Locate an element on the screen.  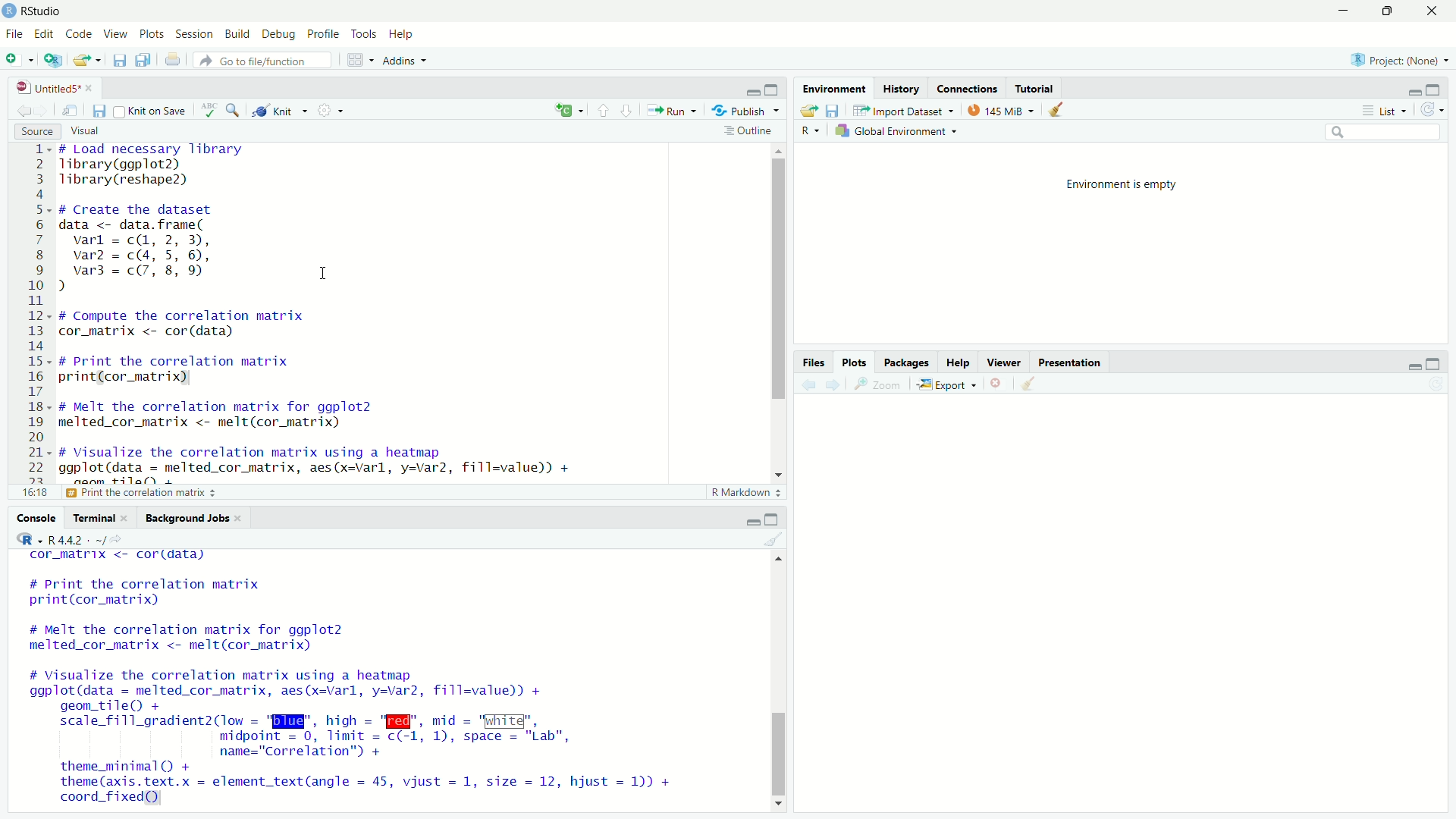
plots is located at coordinates (152, 34).